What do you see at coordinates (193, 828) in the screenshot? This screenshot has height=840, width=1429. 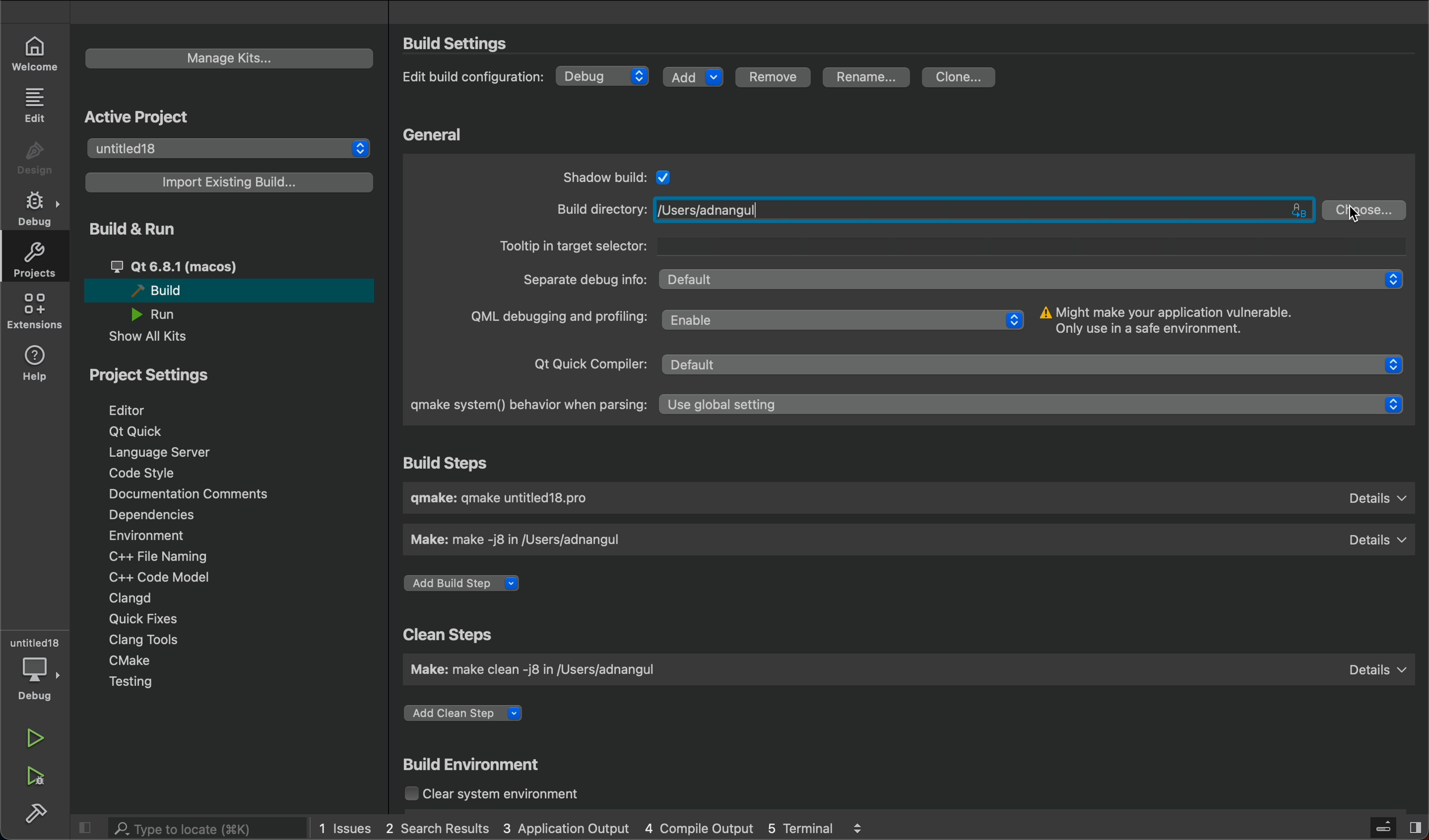 I see `search bar` at bounding box center [193, 828].